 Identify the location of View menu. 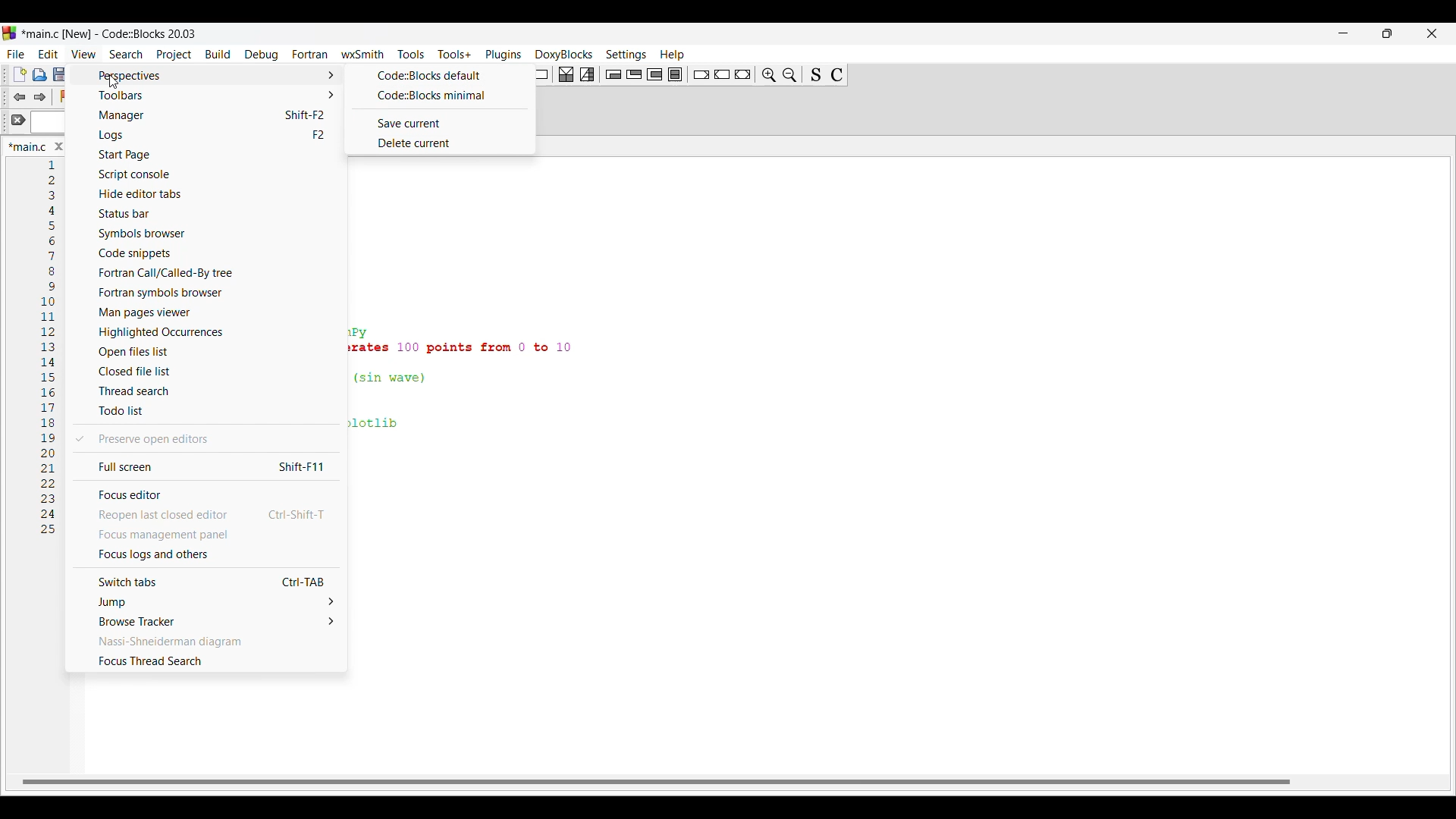
(84, 54).